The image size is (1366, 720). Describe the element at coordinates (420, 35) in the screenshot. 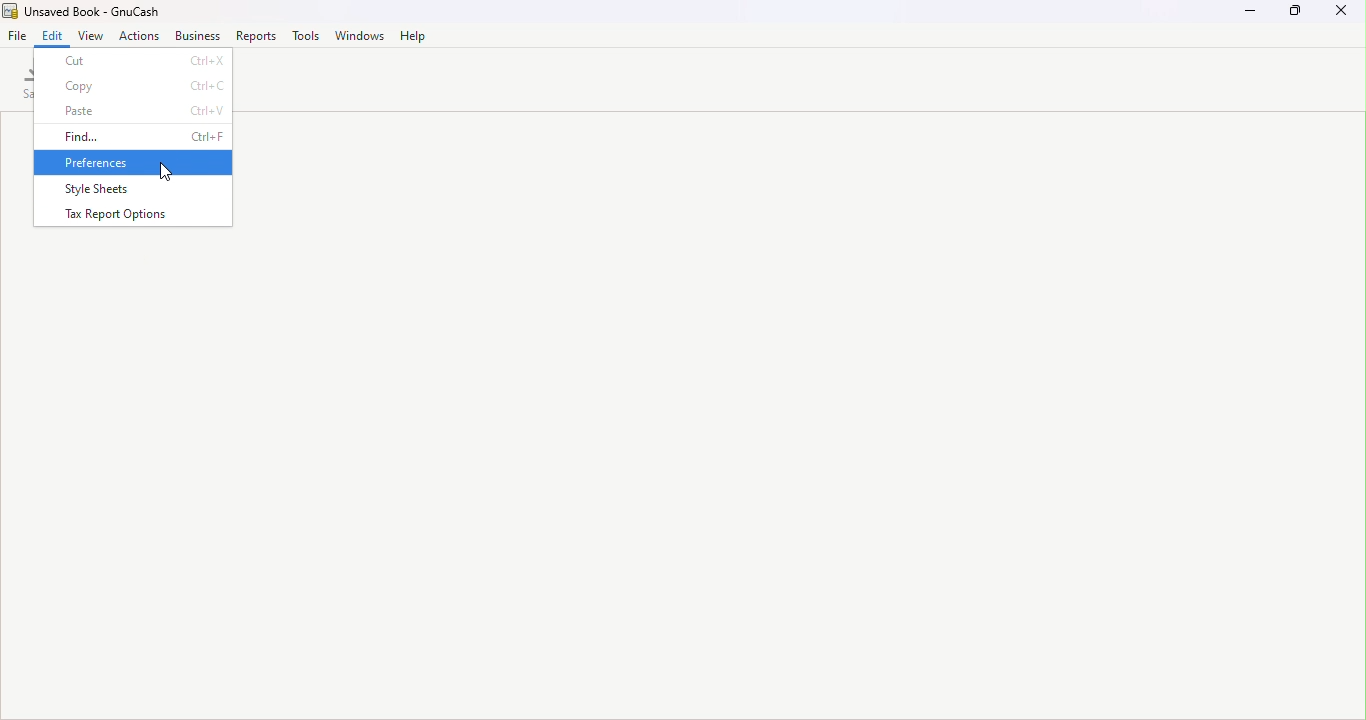

I see `Help` at that location.